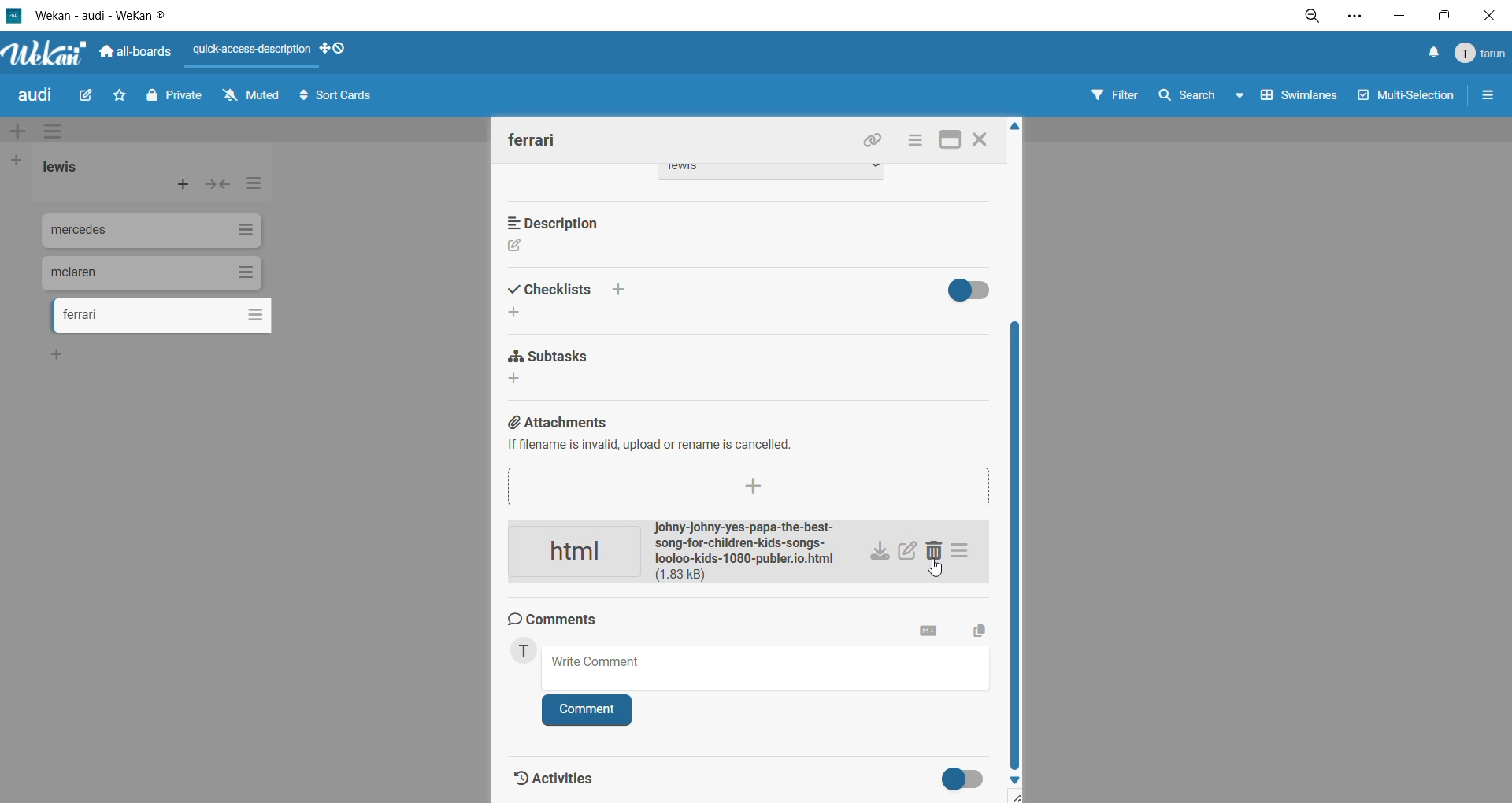 The width and height of the screenshot is (1512, 803). I want to click on add attachment, so click(754, 487).